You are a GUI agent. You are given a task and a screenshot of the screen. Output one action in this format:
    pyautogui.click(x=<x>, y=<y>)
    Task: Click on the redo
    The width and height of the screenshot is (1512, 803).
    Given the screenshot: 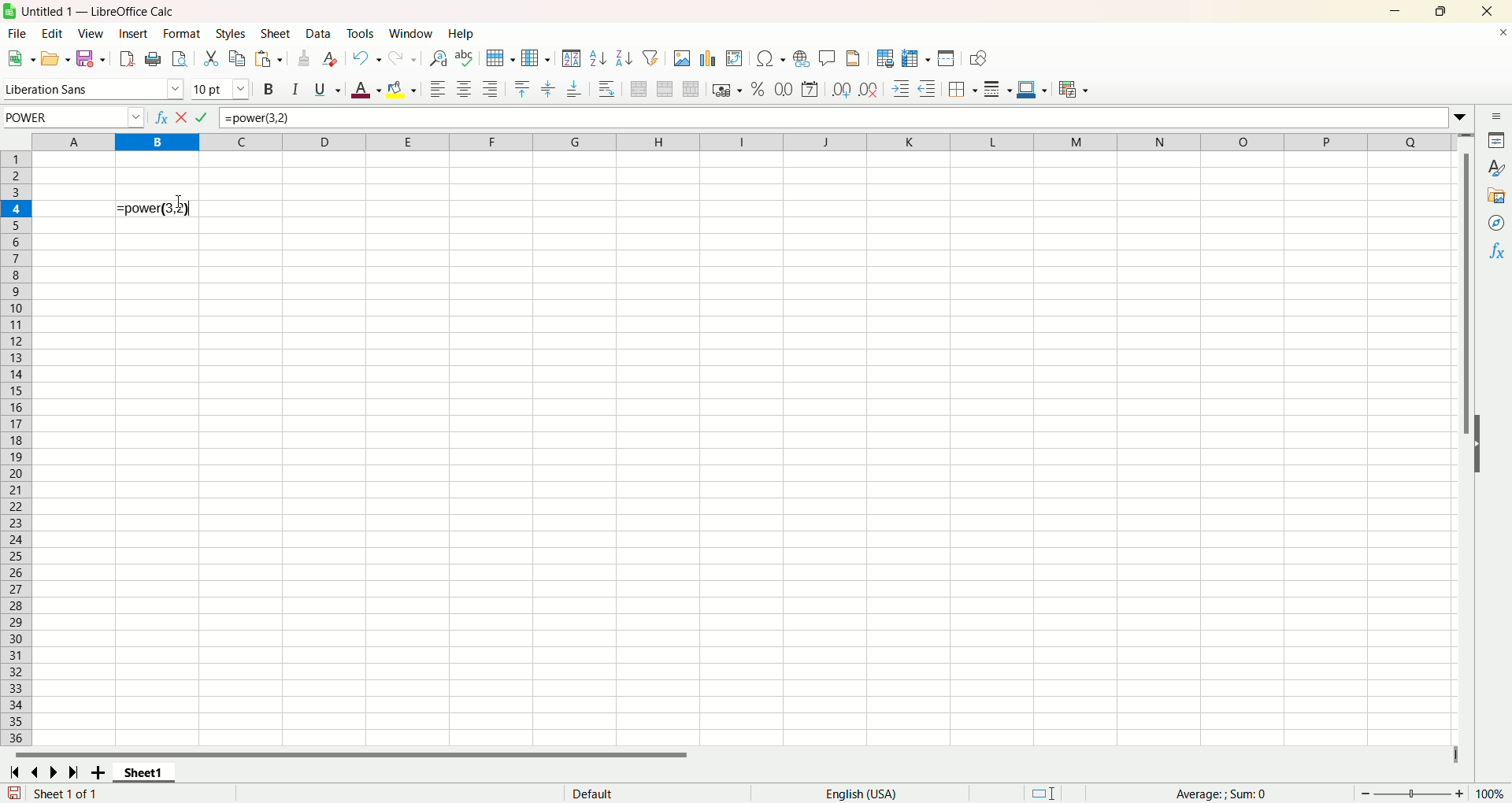 What is the action you would take?
    pyautogui.click(x=404, y=58)
    